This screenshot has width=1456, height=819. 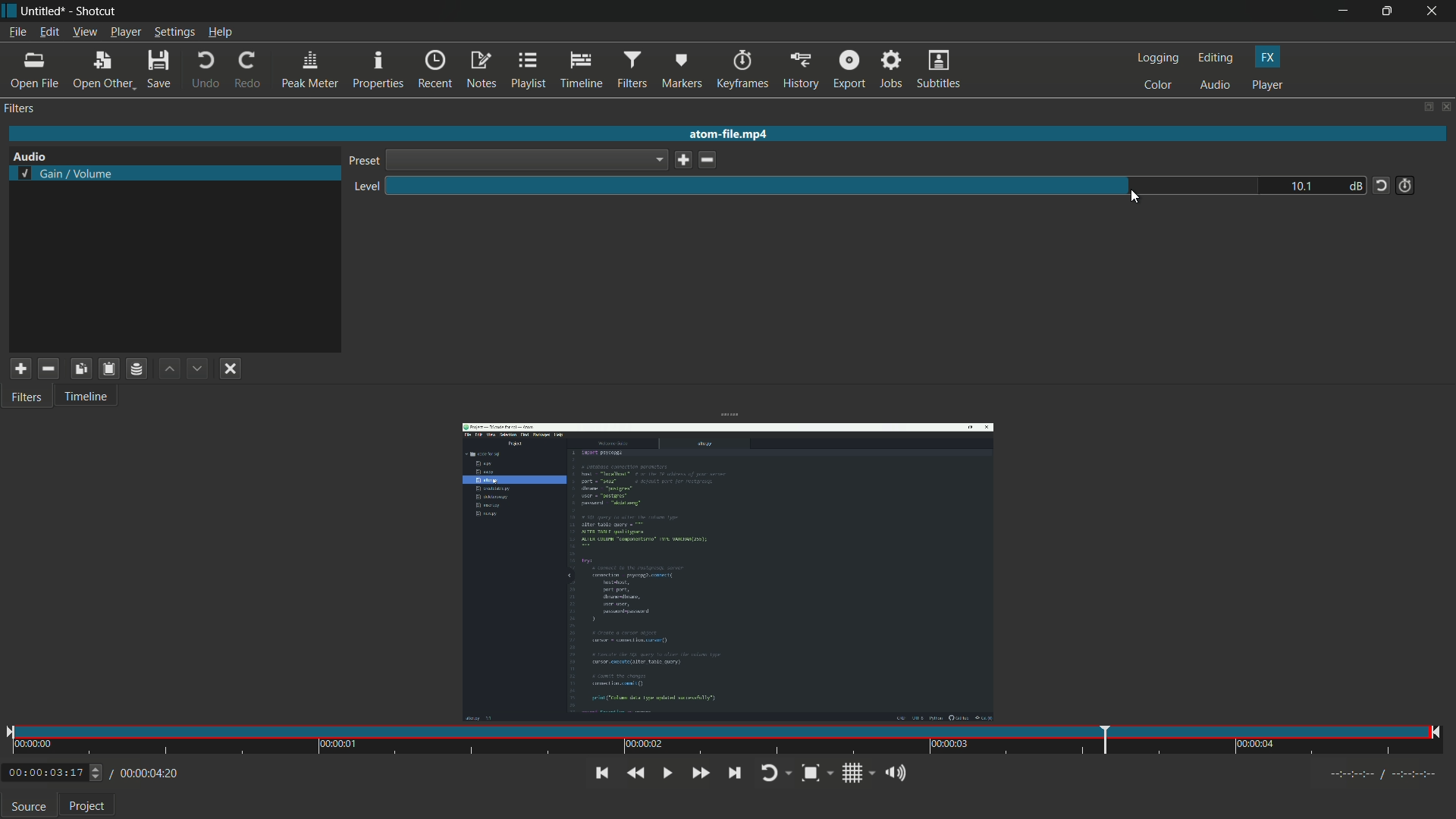 What do you see at coordinates (199, 369) in the screenshot?
I see `move filter down` at bounding box center [199, 369].